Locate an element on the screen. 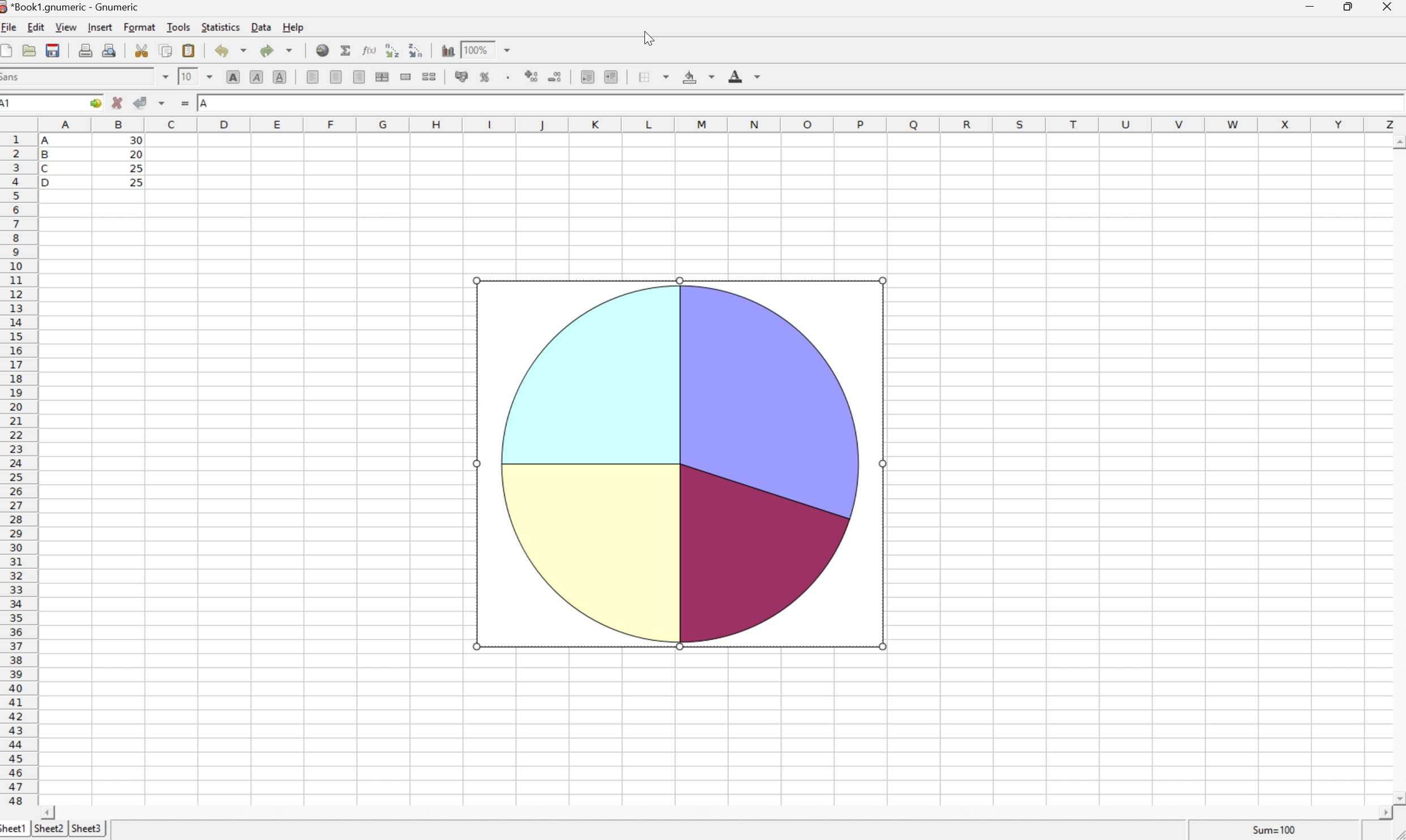 The image size is (1406, 840). Print the current file is located at coordinates (86, 50).